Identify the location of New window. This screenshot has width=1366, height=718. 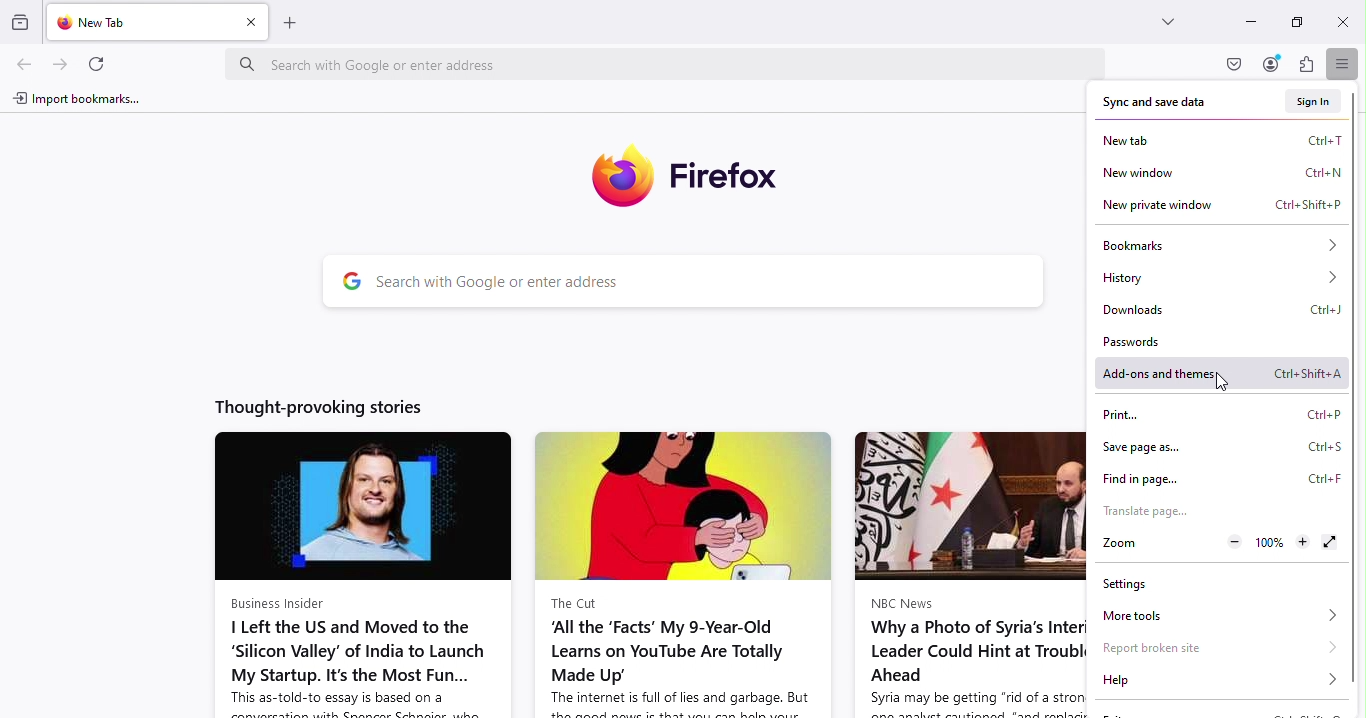
(1218, 171).